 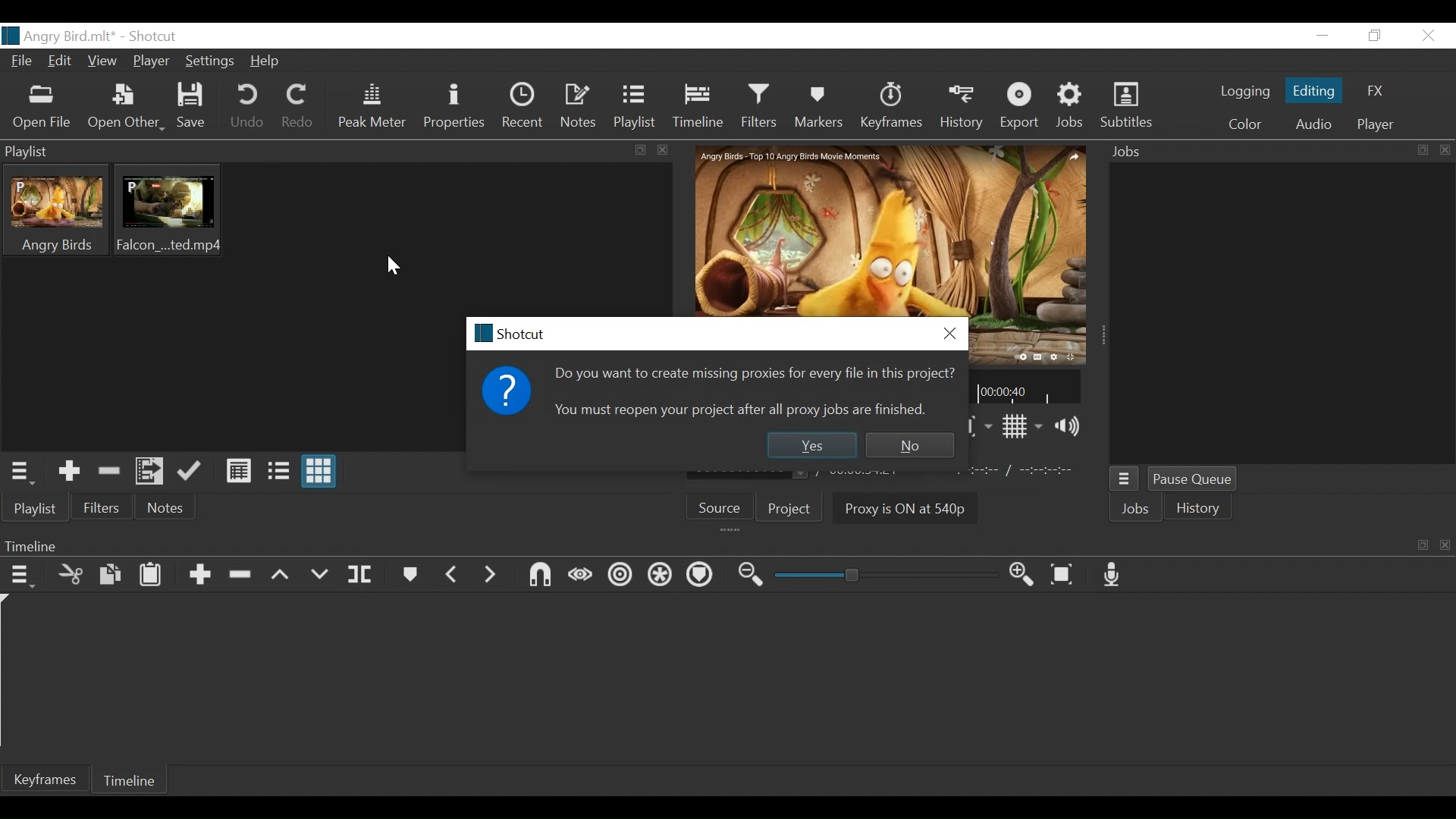 What do you see at coordinates (22, 61) in the screenshot?
I see `File` at bounding box center [22, 61].